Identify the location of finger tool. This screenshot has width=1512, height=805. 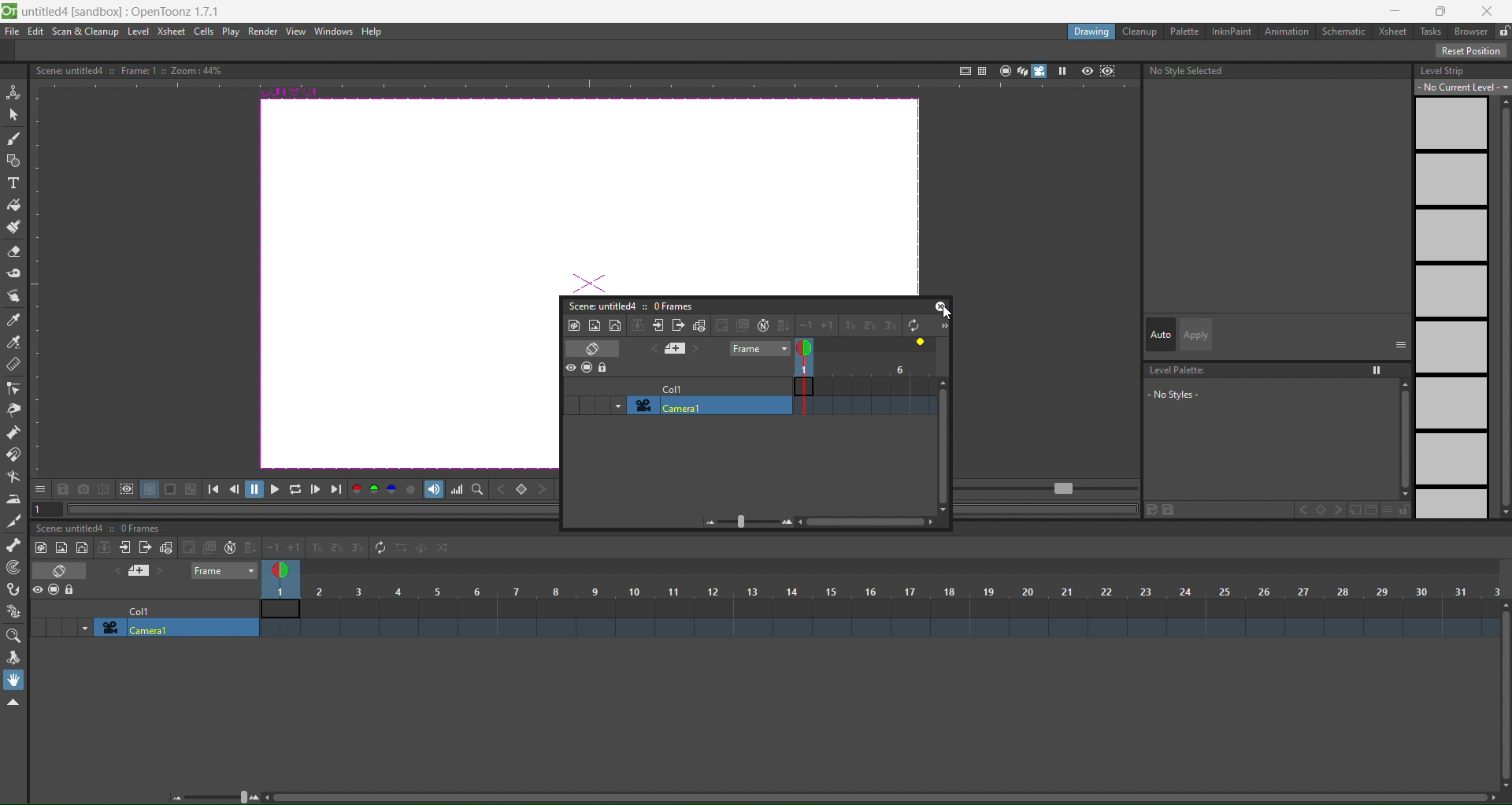
(14, 298).